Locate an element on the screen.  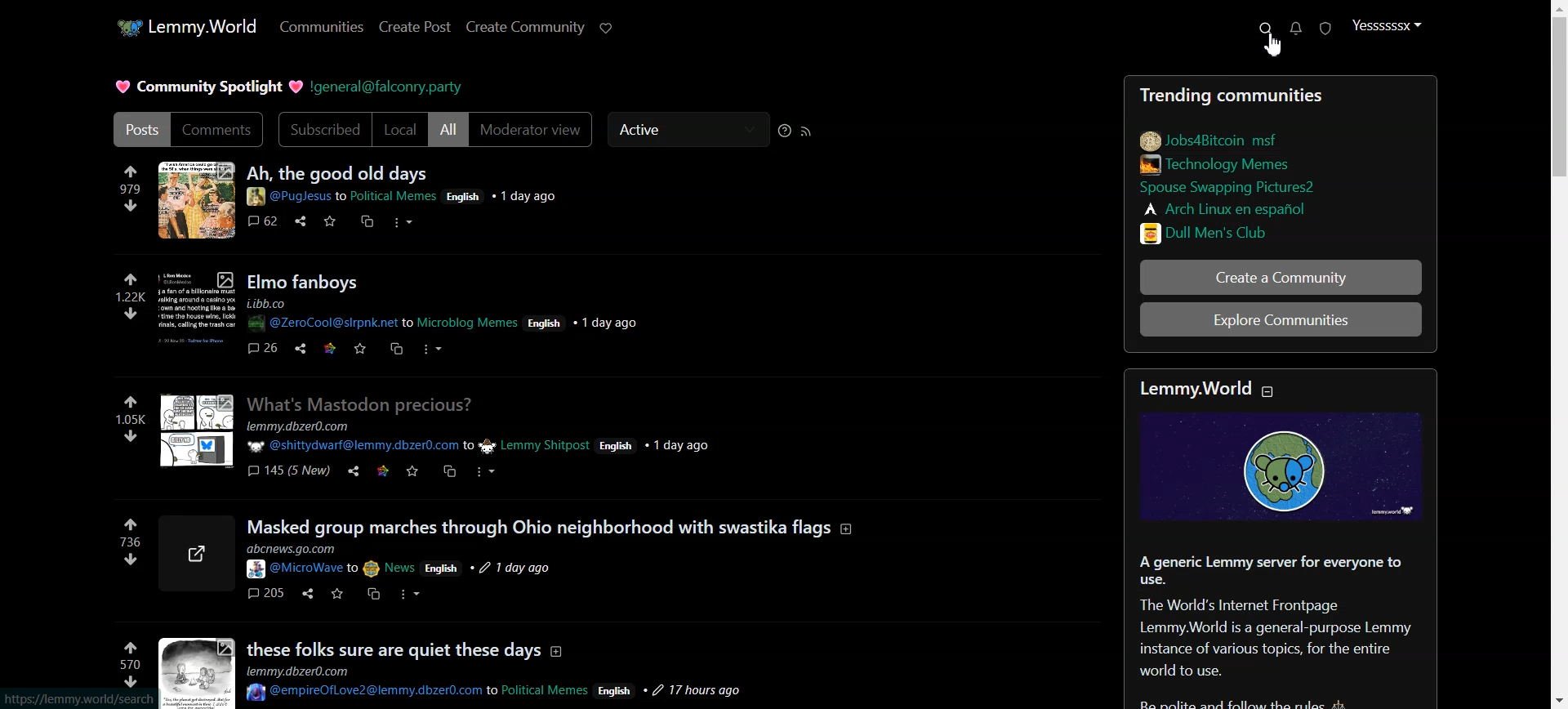
Home Page is located at coordinates (186, 26).